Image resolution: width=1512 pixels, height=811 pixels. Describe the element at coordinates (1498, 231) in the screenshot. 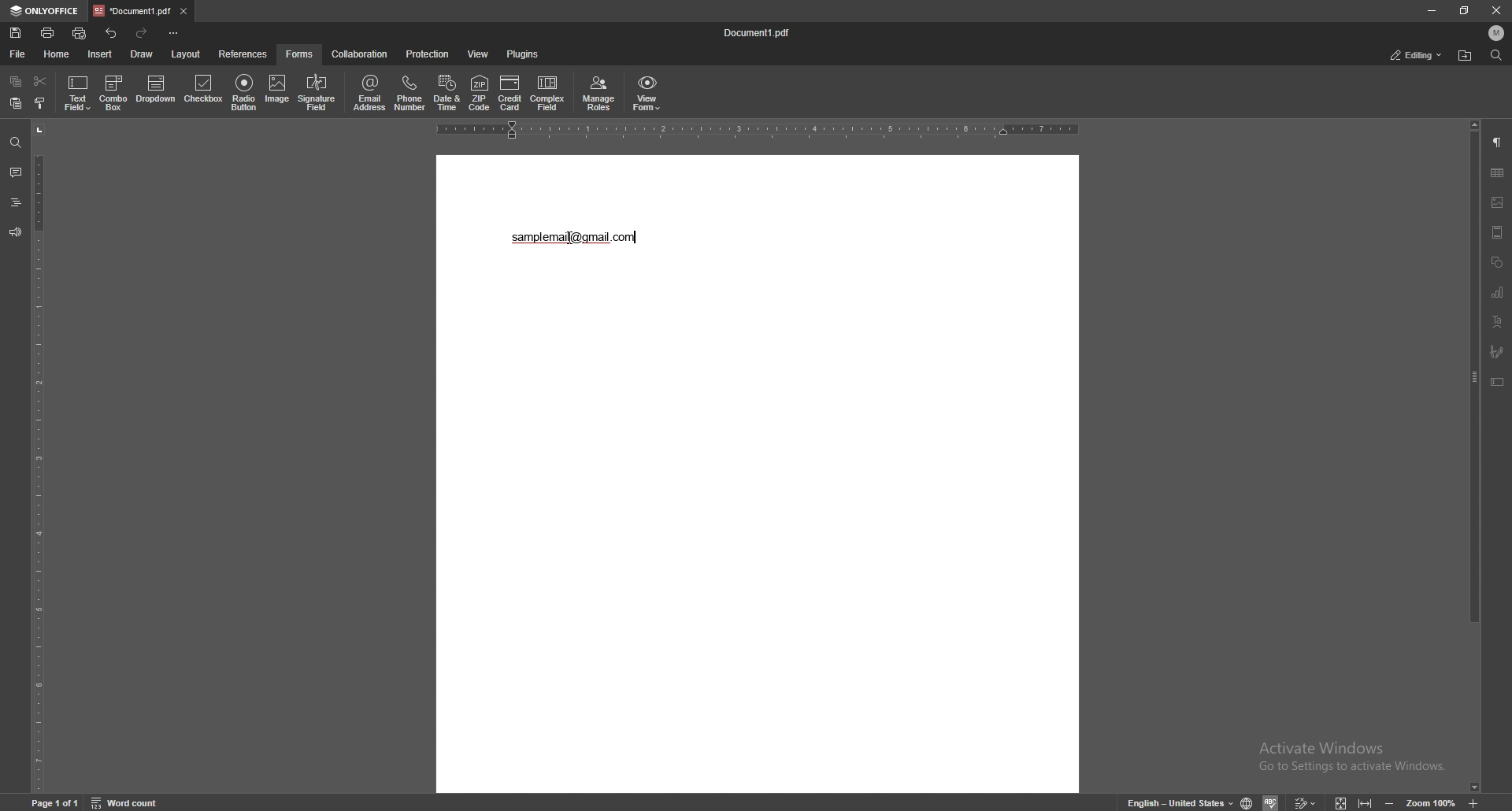

I see `header and footer` at that location.